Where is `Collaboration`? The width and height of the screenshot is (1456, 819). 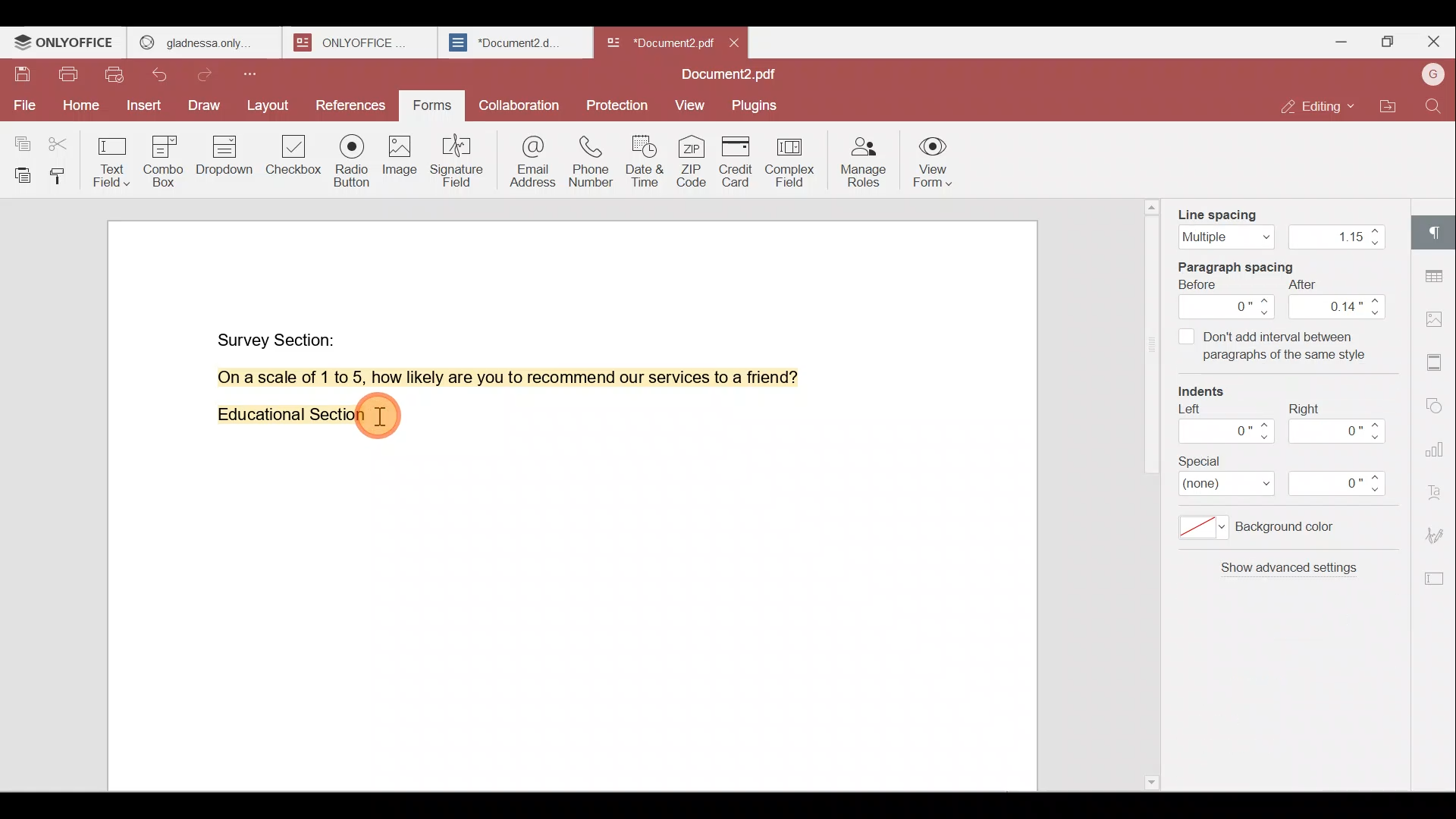
Collaboration is located at coordinates (517, 104).